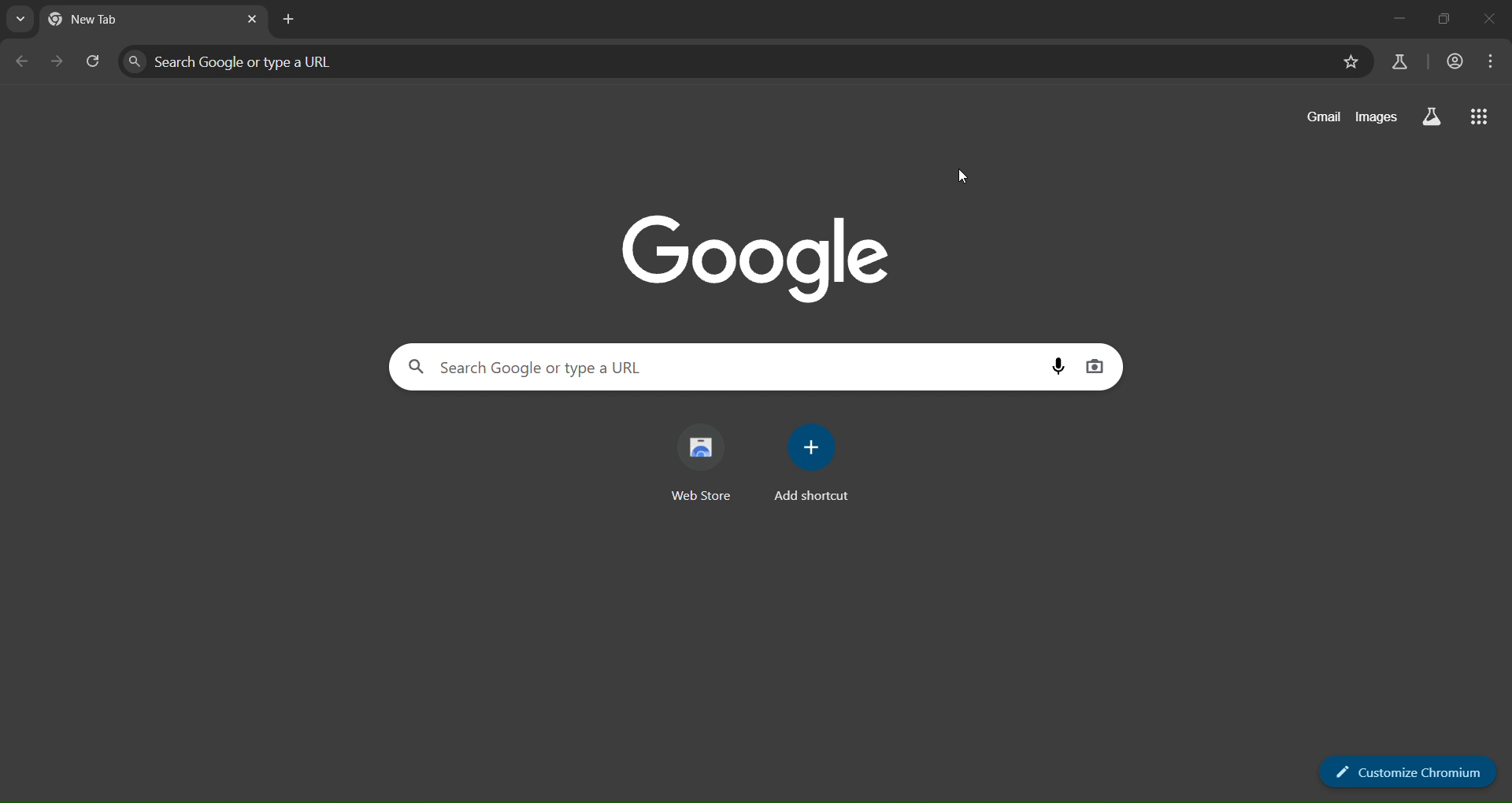  I want to click on add shortcut, so click(816, 460).